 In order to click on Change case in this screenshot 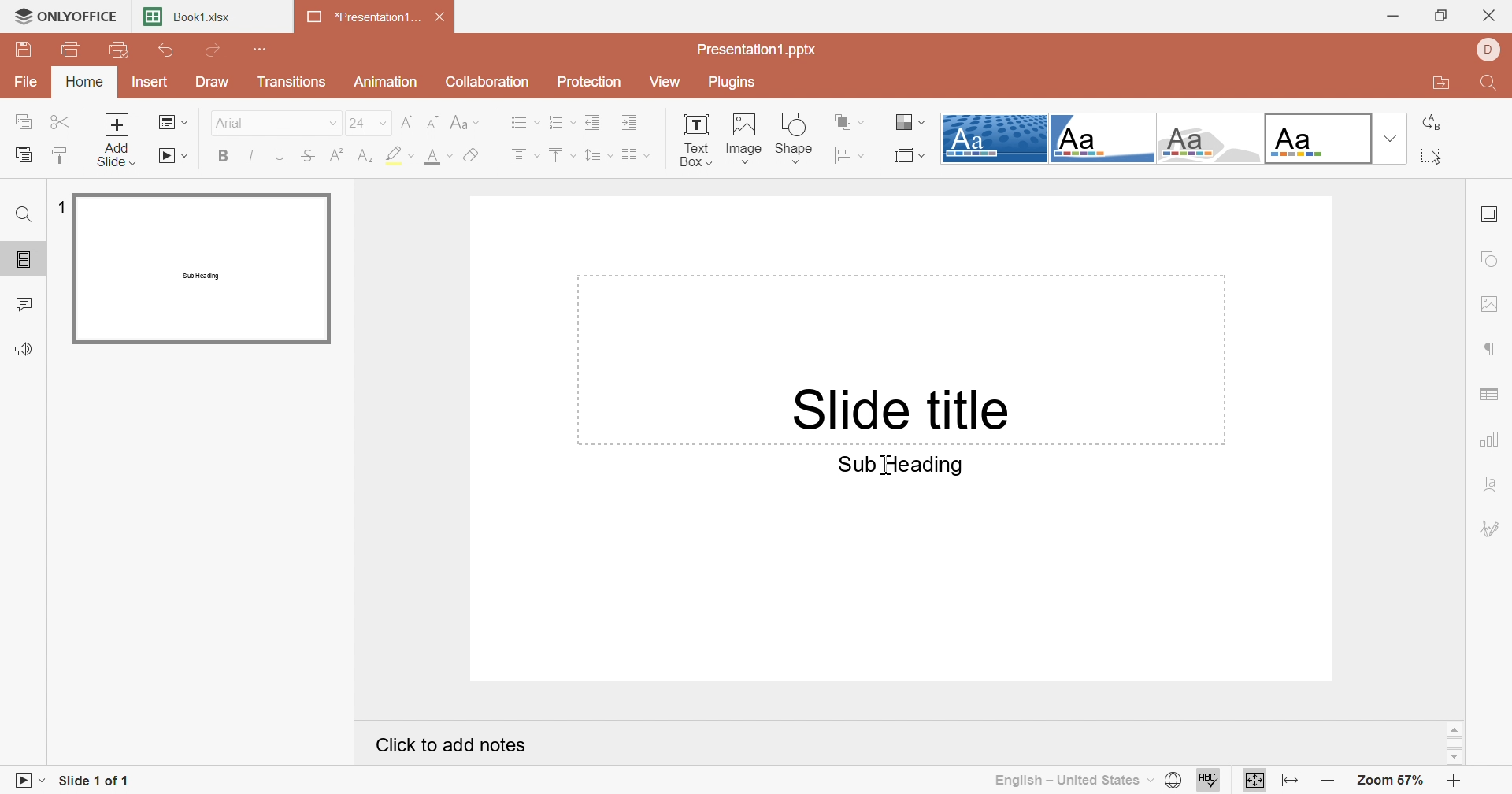, I will do `click(464, 121)`.